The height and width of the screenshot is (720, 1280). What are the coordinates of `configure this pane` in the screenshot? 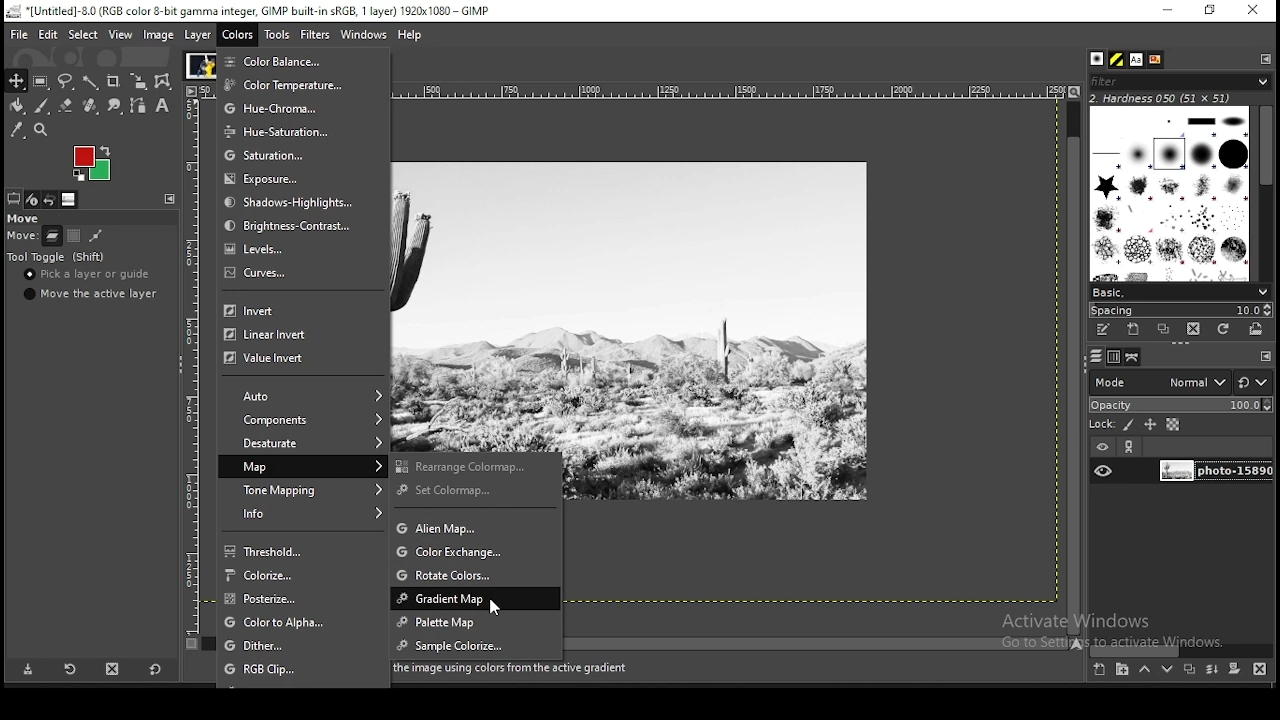 It's located at (1264, 58).